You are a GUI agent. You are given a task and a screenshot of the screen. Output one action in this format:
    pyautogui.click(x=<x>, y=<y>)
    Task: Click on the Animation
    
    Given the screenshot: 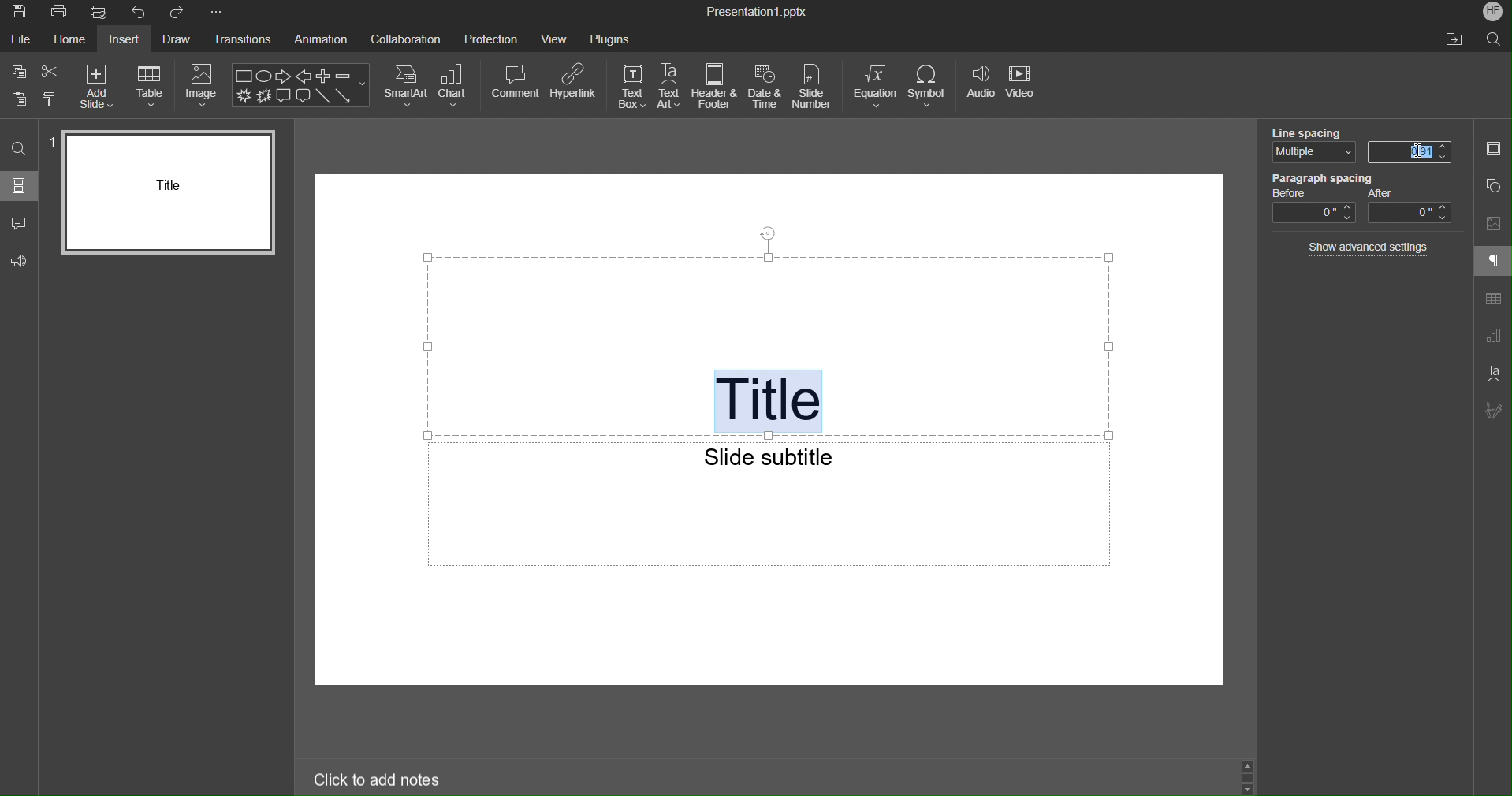 What is the action you would take?
    pyautogui.click(x=320, y=41)
    